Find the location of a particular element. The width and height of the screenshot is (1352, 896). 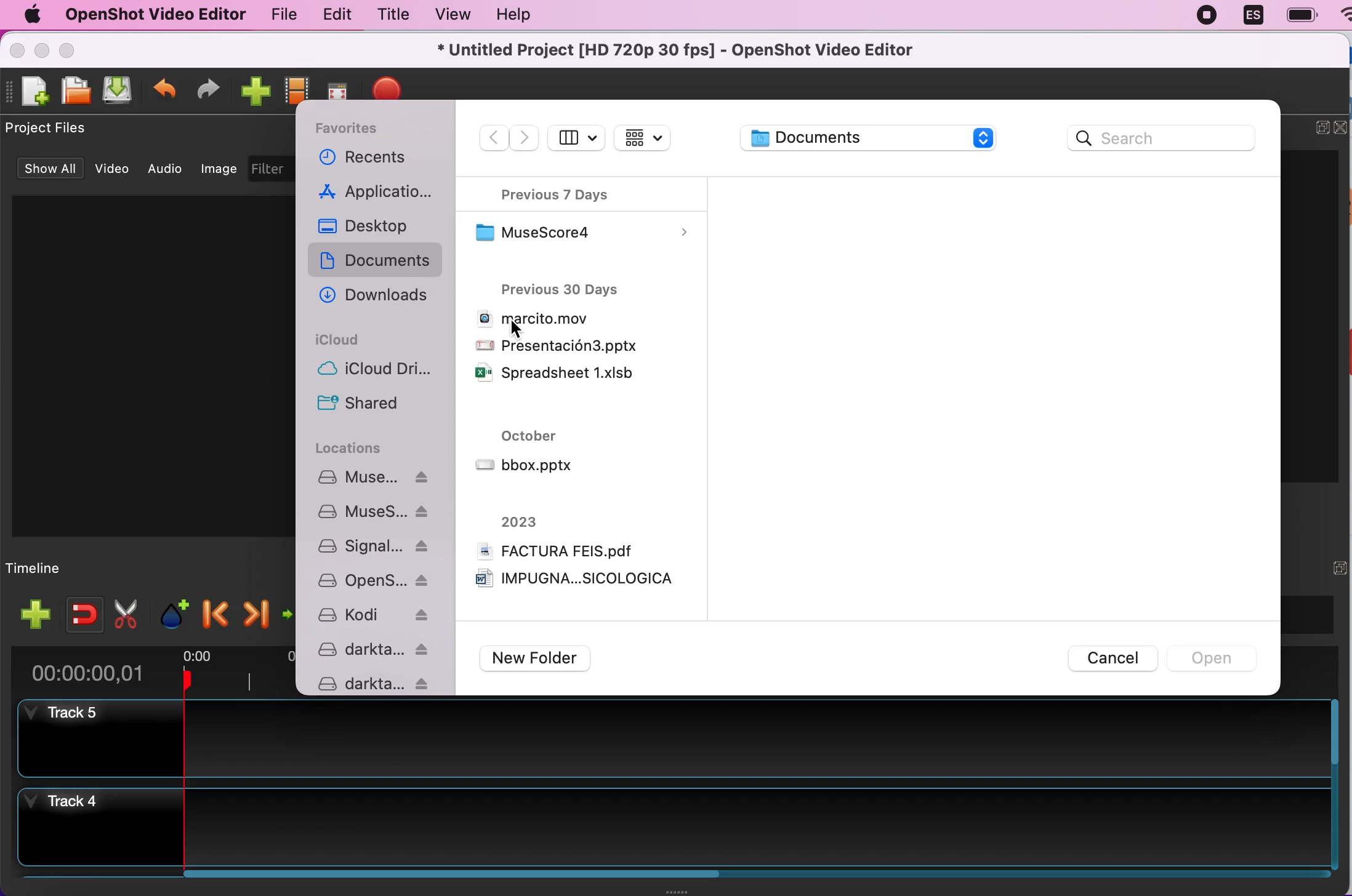

open file is located at coordinates (76, 90).